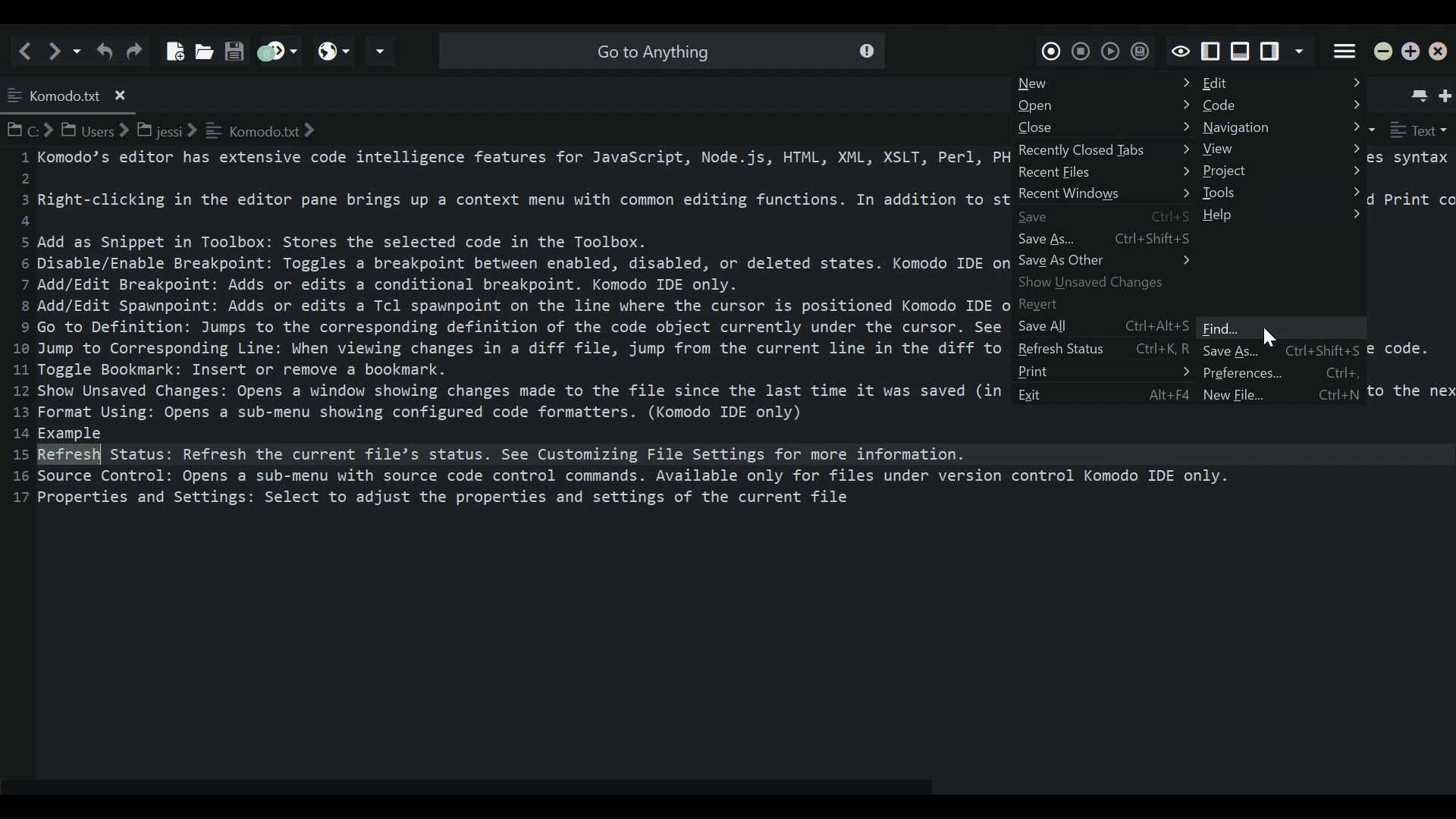 This screenshot has height=819, width=1456. I want to click on Exit, so click(1104, 394).